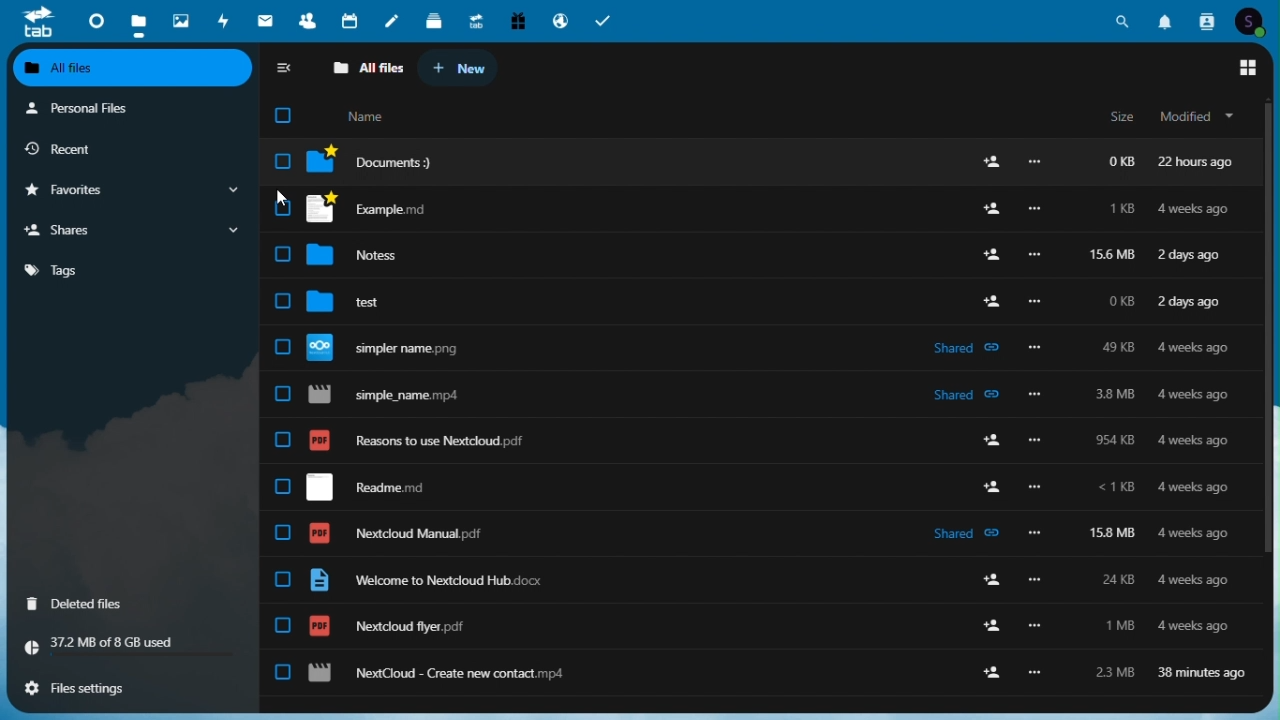 Image resolution: width=1280 pixels, height=720 pixels. Describe the element at coordinates (378, 162) in the screenshot. I see `documents` at that location.